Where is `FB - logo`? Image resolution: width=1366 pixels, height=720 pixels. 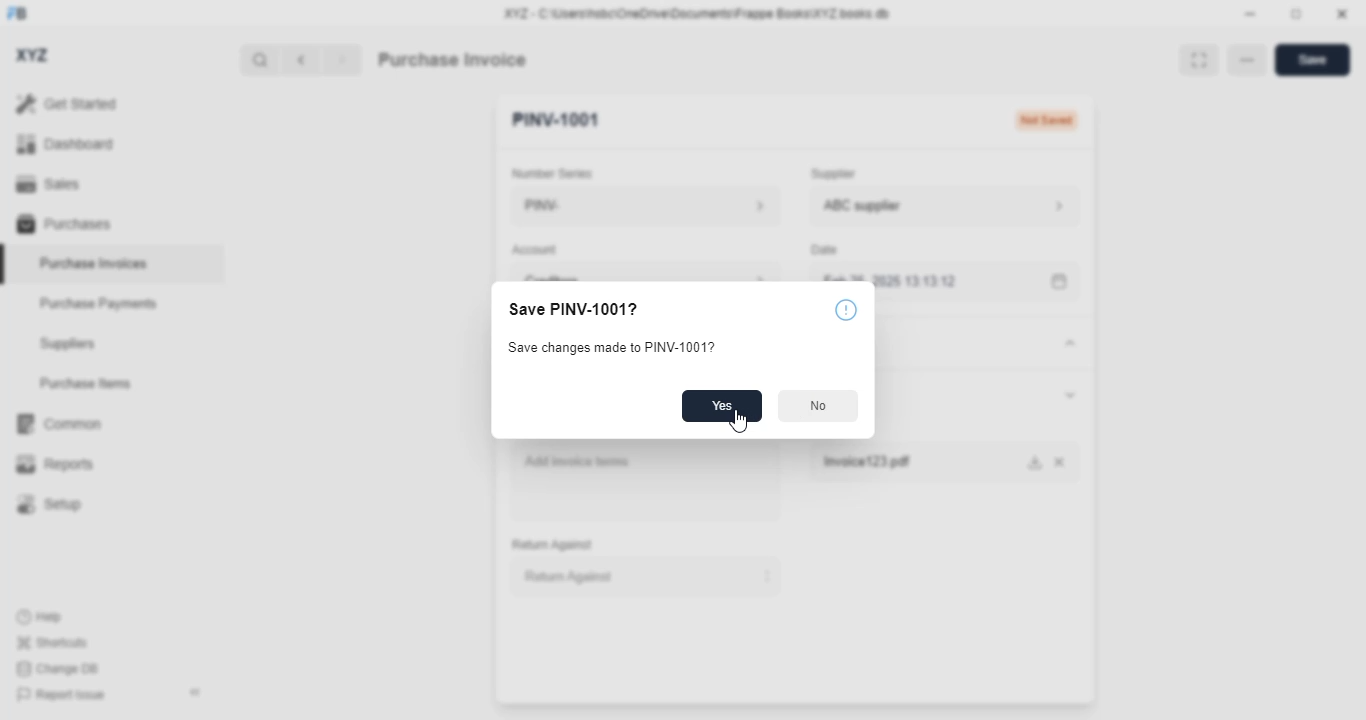 FB - logo is located at coordinates (17, 13).